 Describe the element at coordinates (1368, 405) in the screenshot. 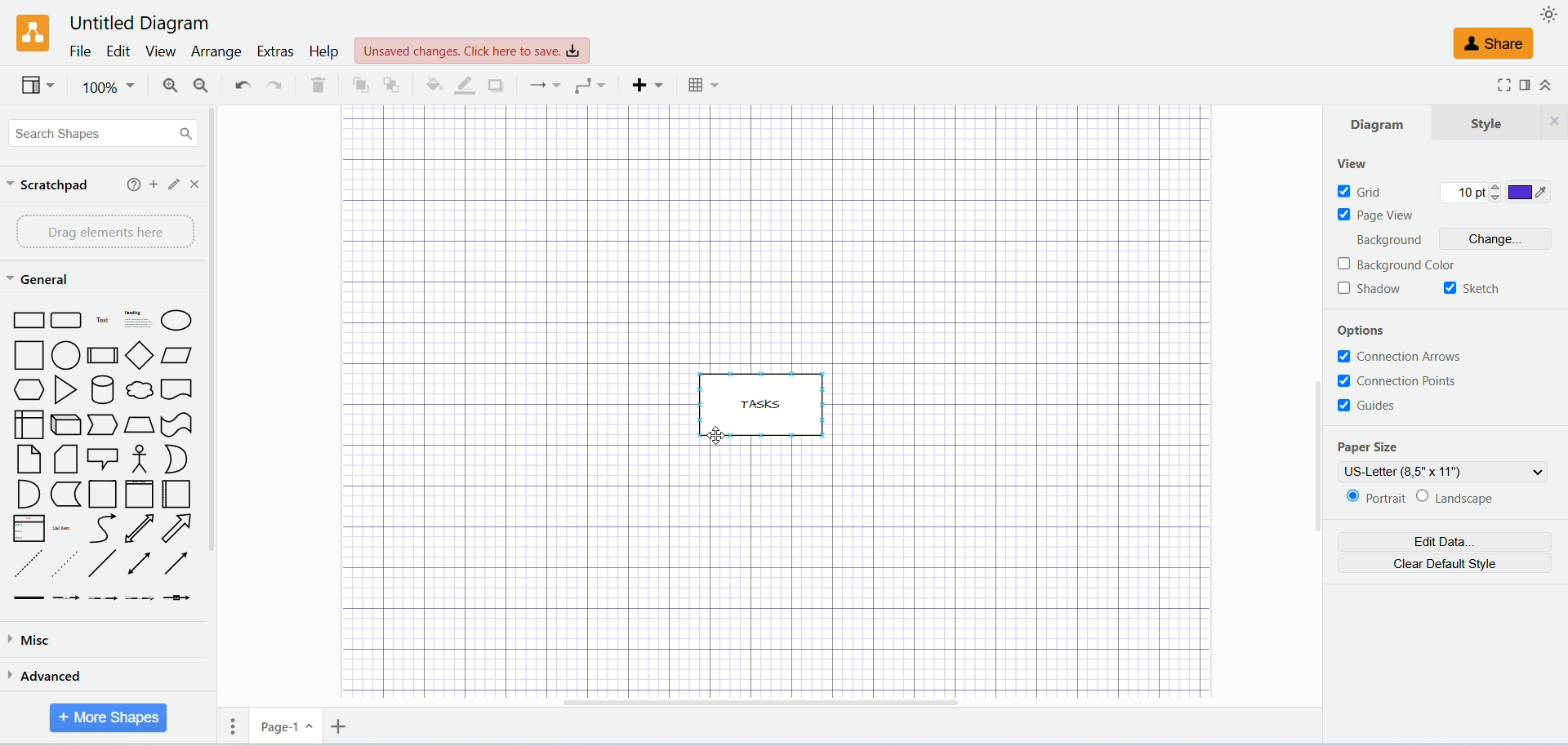

I see `guides` at that location.